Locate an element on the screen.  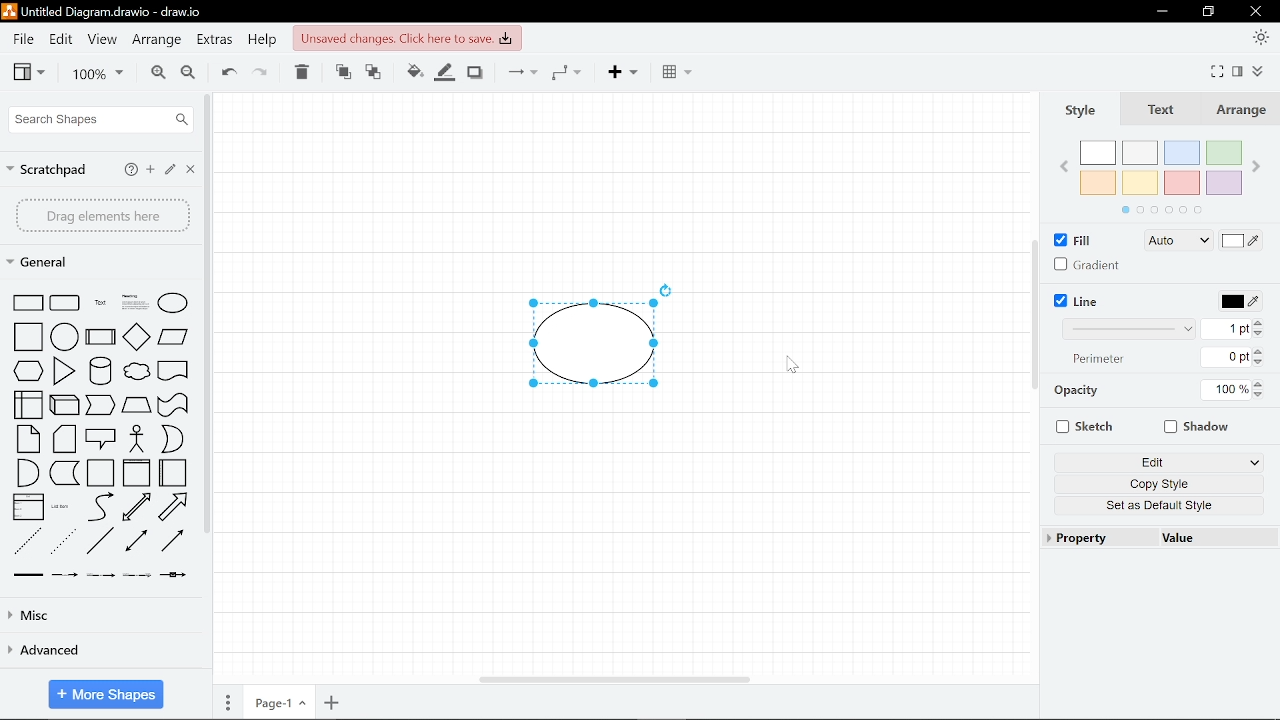
arrow is located at coordinates (175, 507).